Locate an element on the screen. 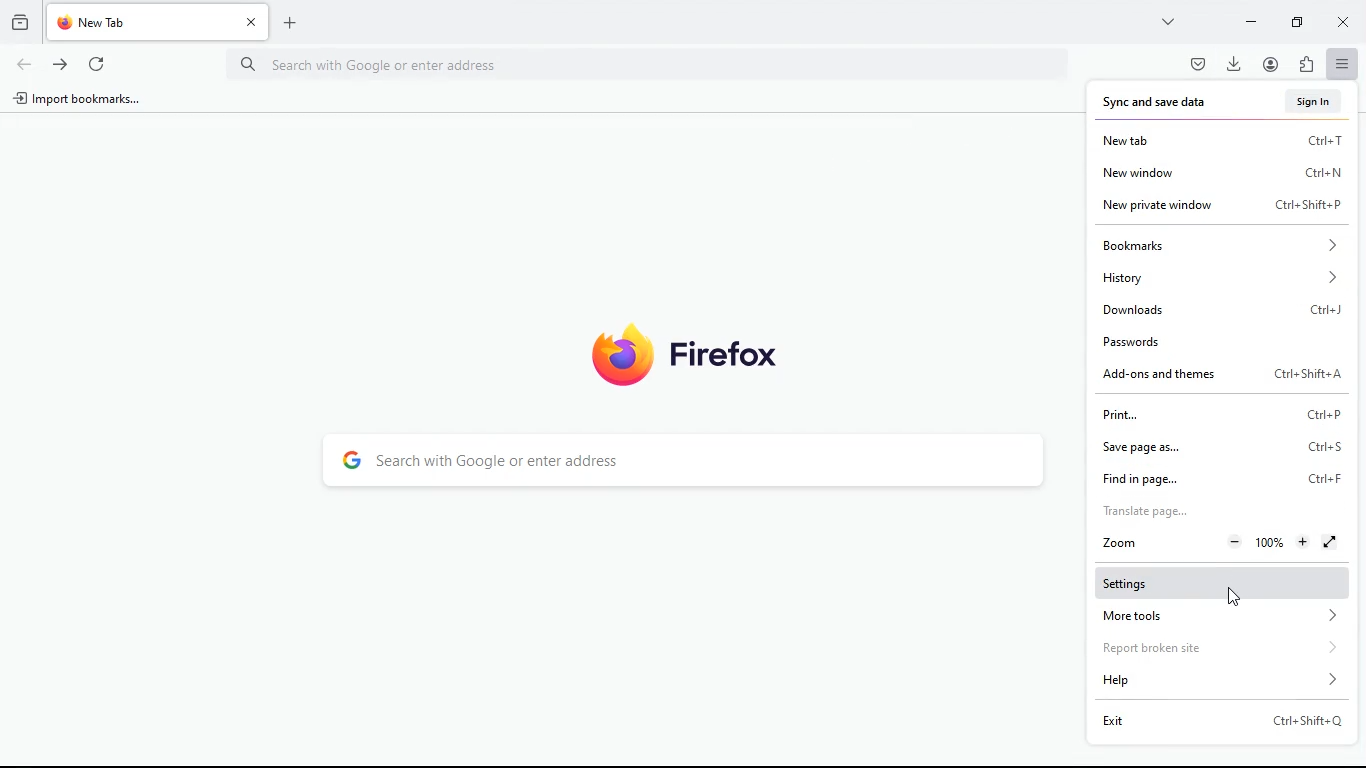  minimize is located at coordinates (1251, 20).